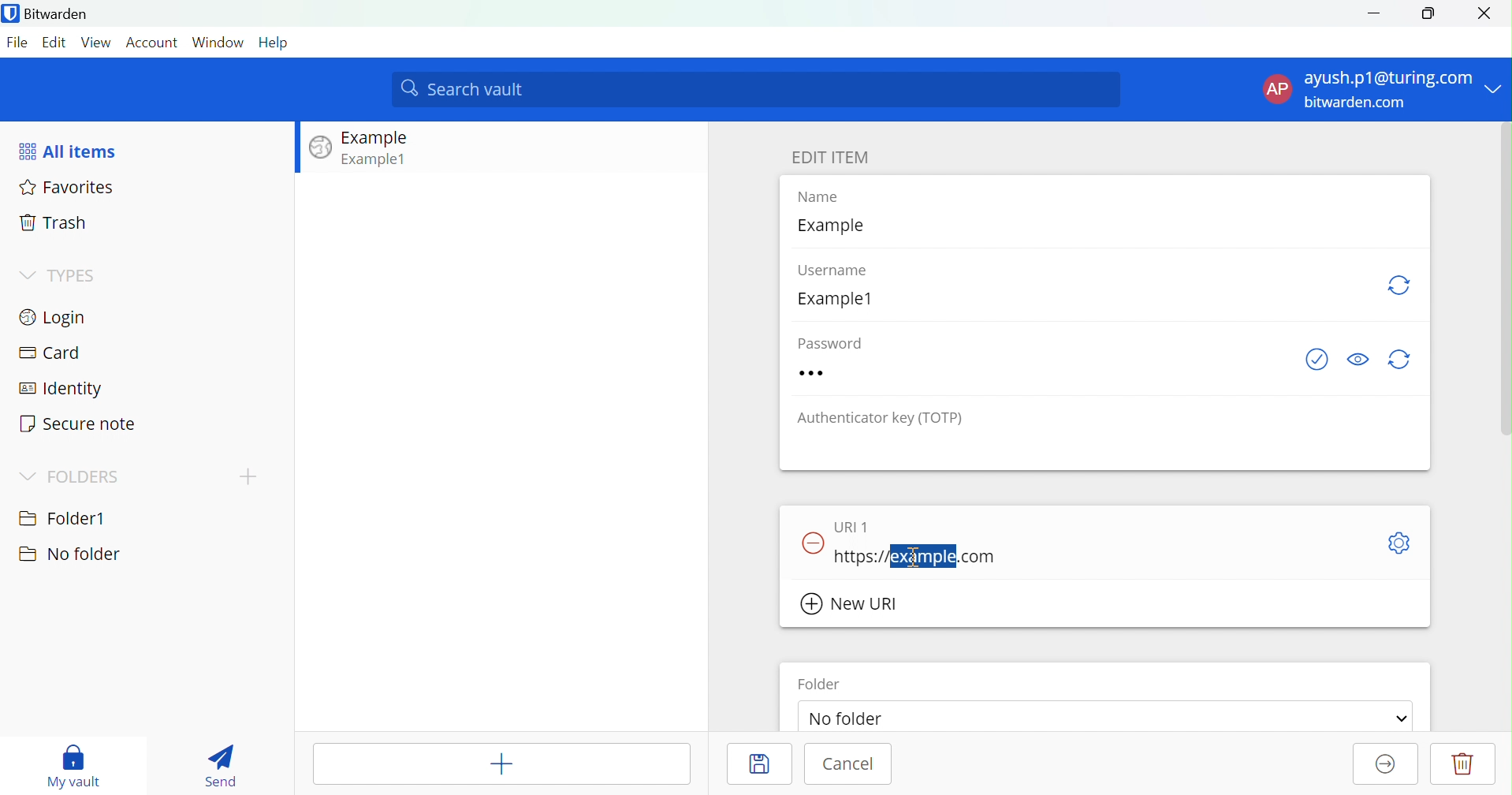 The image size is (1512, 795). What do you see at coordinates (153, 43) in the screenshot?
I see `Account` at bounding box center [153, 43].